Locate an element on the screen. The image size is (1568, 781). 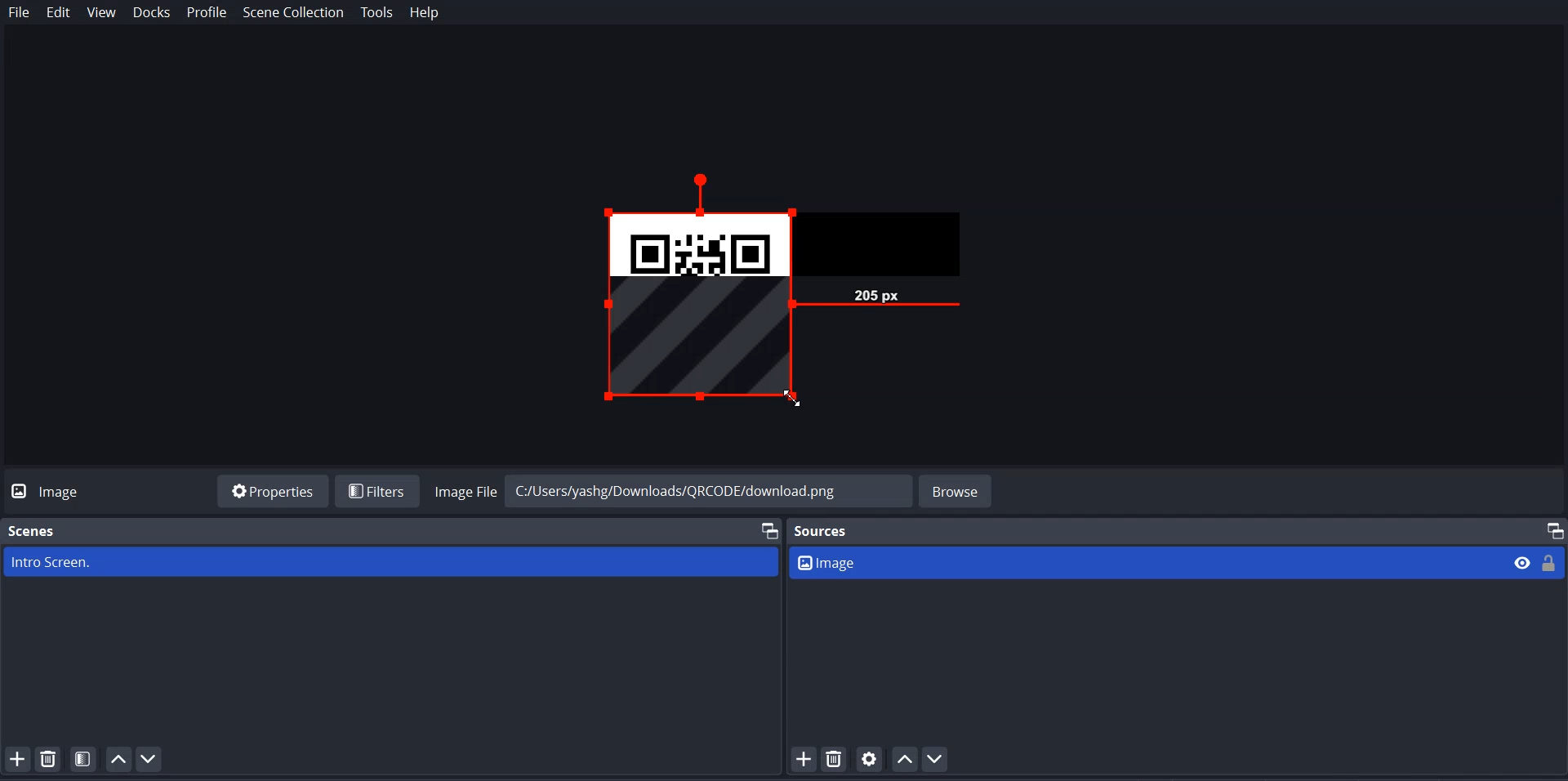
Move Scene Down  is located at coordinates (150, 759).